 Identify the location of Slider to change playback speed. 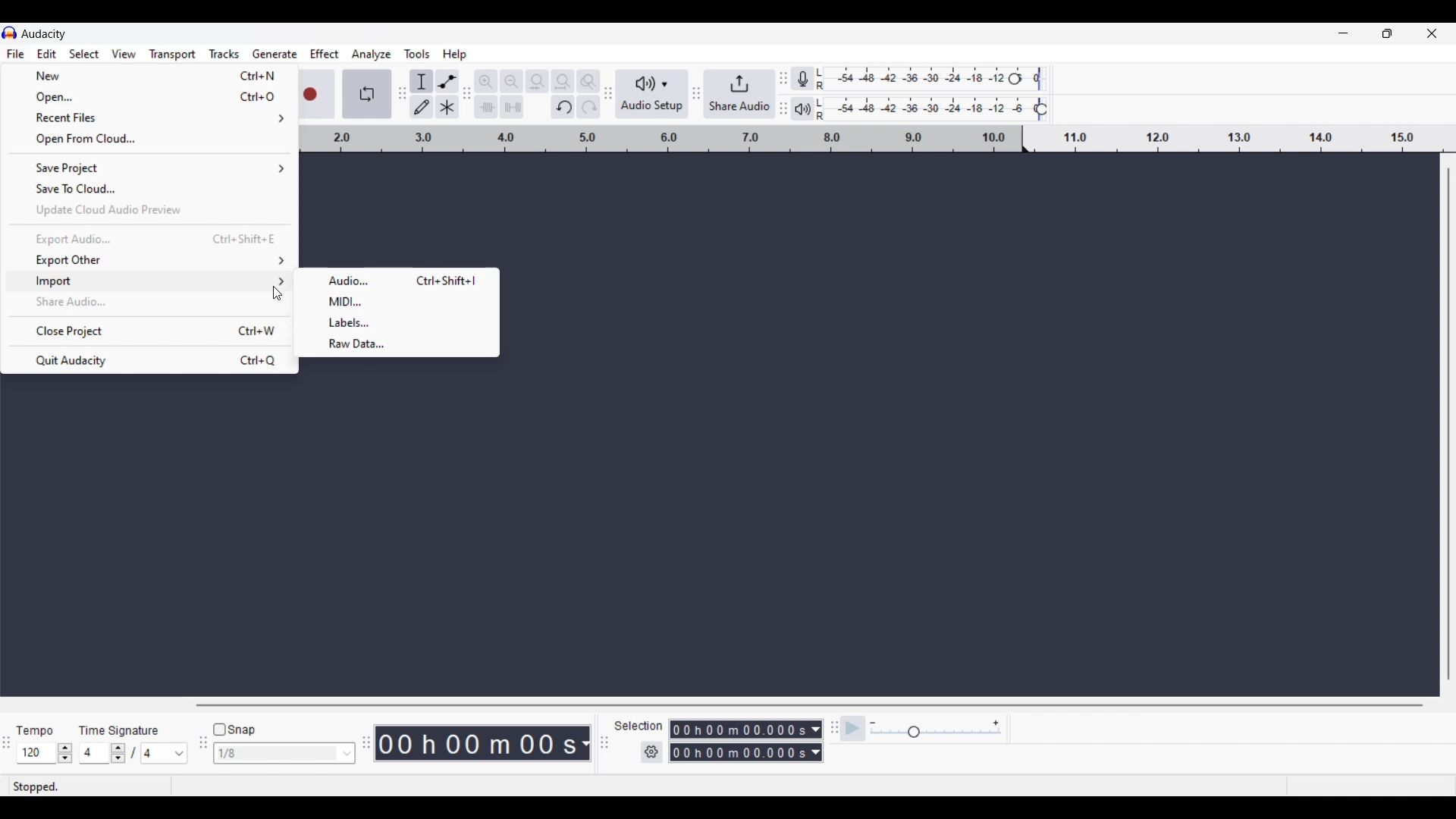
(934, 733).